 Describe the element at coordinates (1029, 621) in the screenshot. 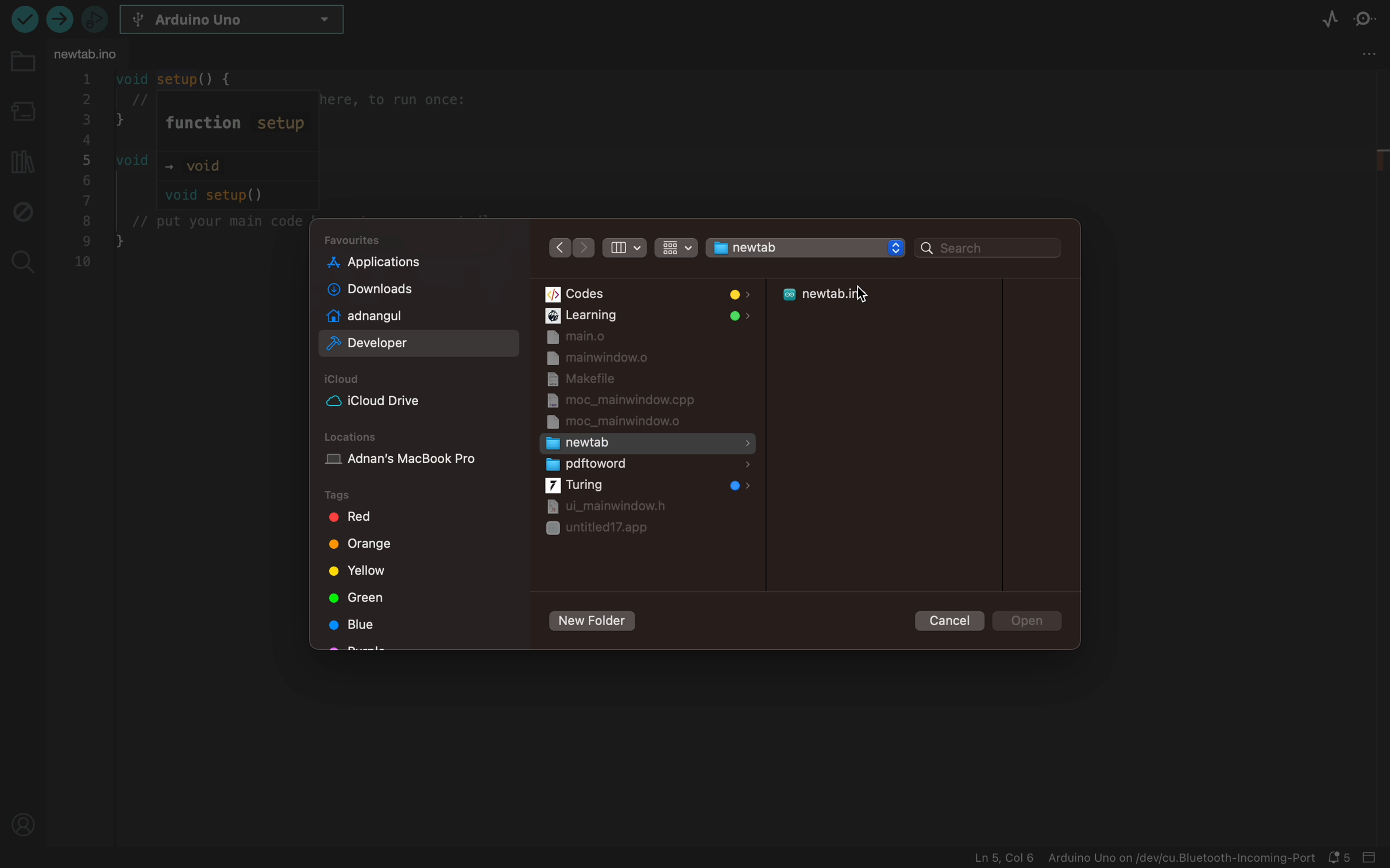

I see `open` at that location.